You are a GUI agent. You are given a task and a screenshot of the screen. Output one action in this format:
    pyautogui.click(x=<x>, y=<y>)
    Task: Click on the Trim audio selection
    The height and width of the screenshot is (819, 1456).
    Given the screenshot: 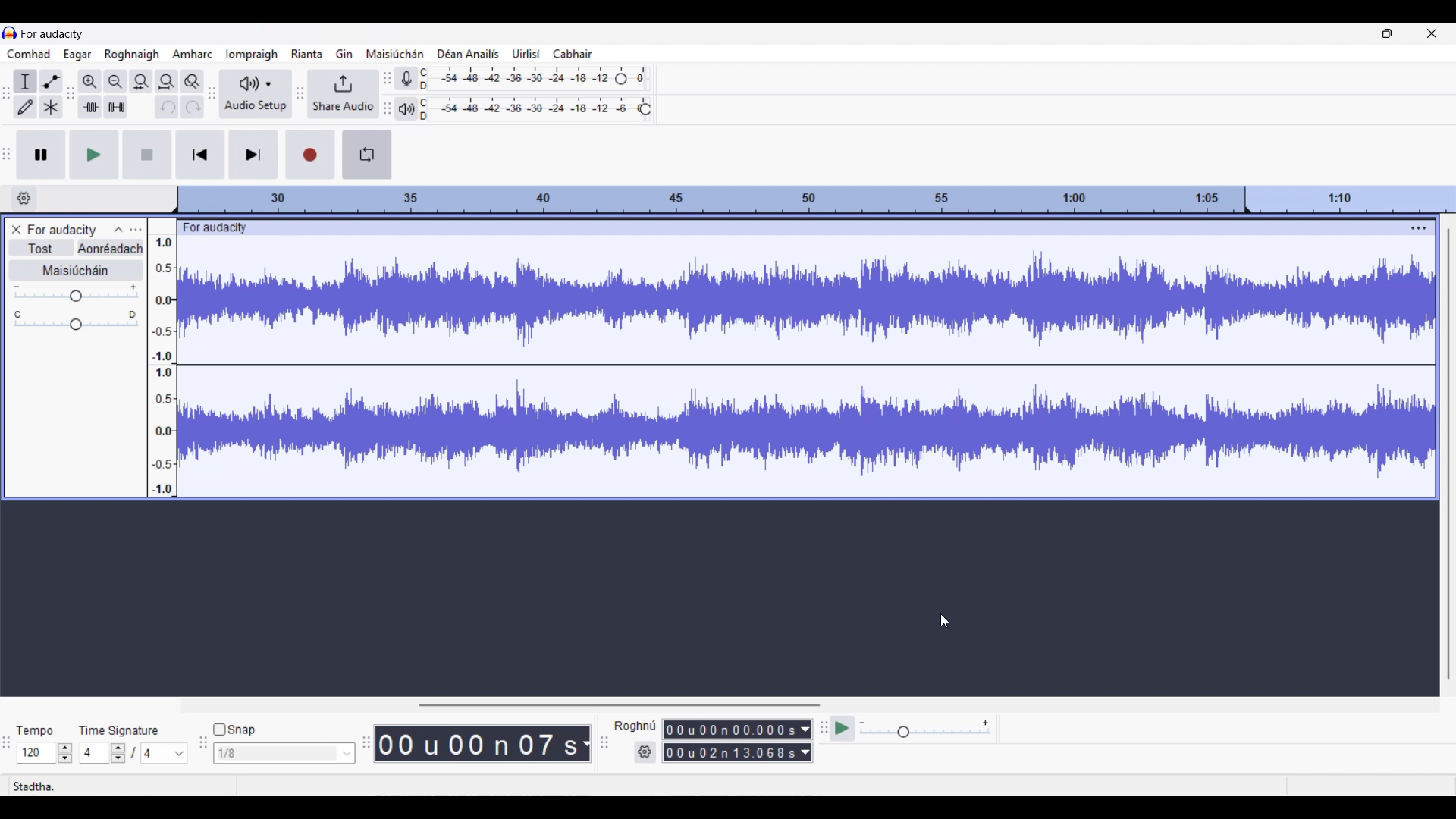 What is the action you would take?
    pyautogui.click(x=89, y=107)
    